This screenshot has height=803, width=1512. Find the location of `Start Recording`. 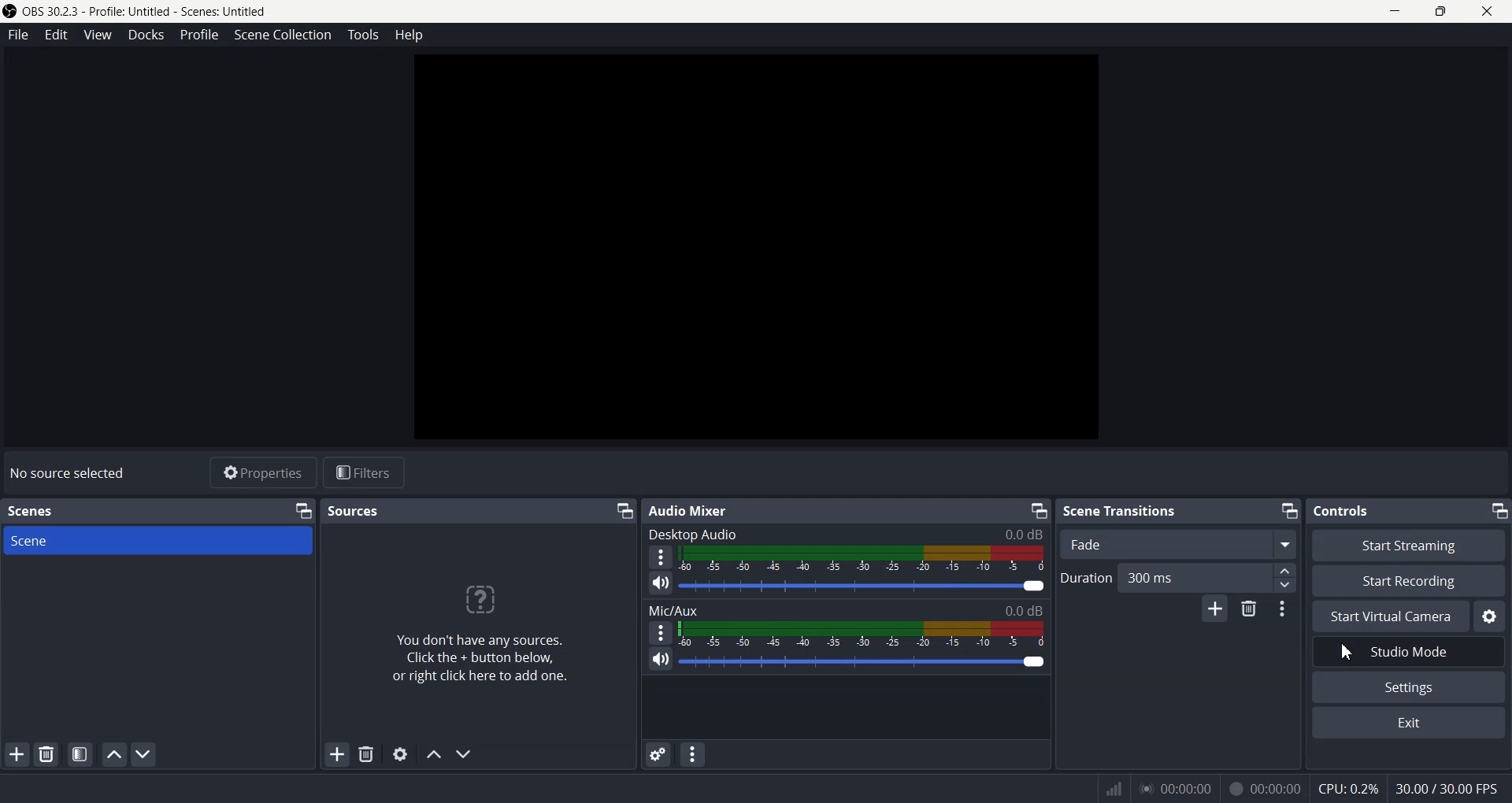

Start Recording is located at coordinates (1413, 581).